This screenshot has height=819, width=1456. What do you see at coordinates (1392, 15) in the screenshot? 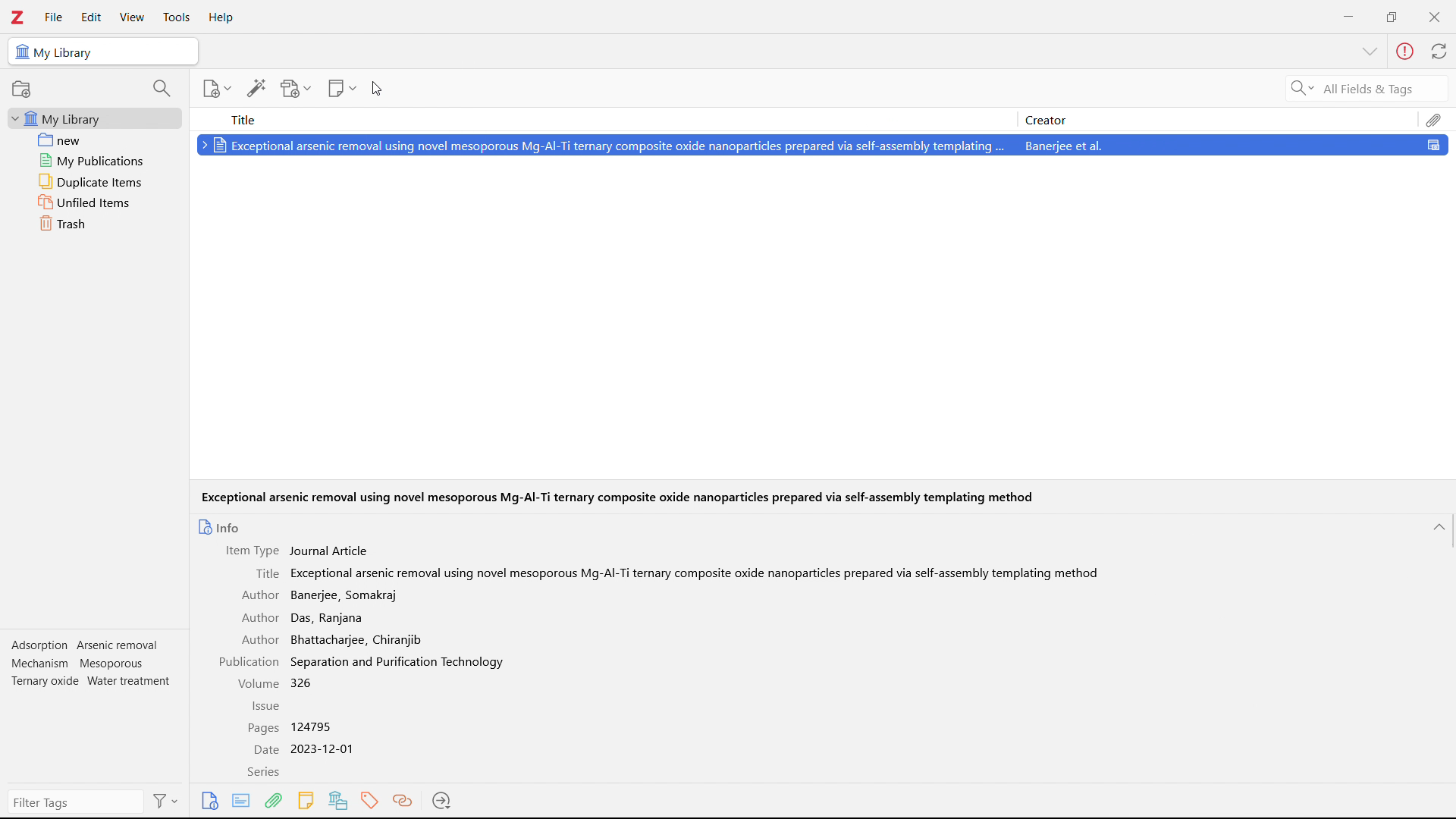
I see `maximize` at bounding box center [1392, 15].